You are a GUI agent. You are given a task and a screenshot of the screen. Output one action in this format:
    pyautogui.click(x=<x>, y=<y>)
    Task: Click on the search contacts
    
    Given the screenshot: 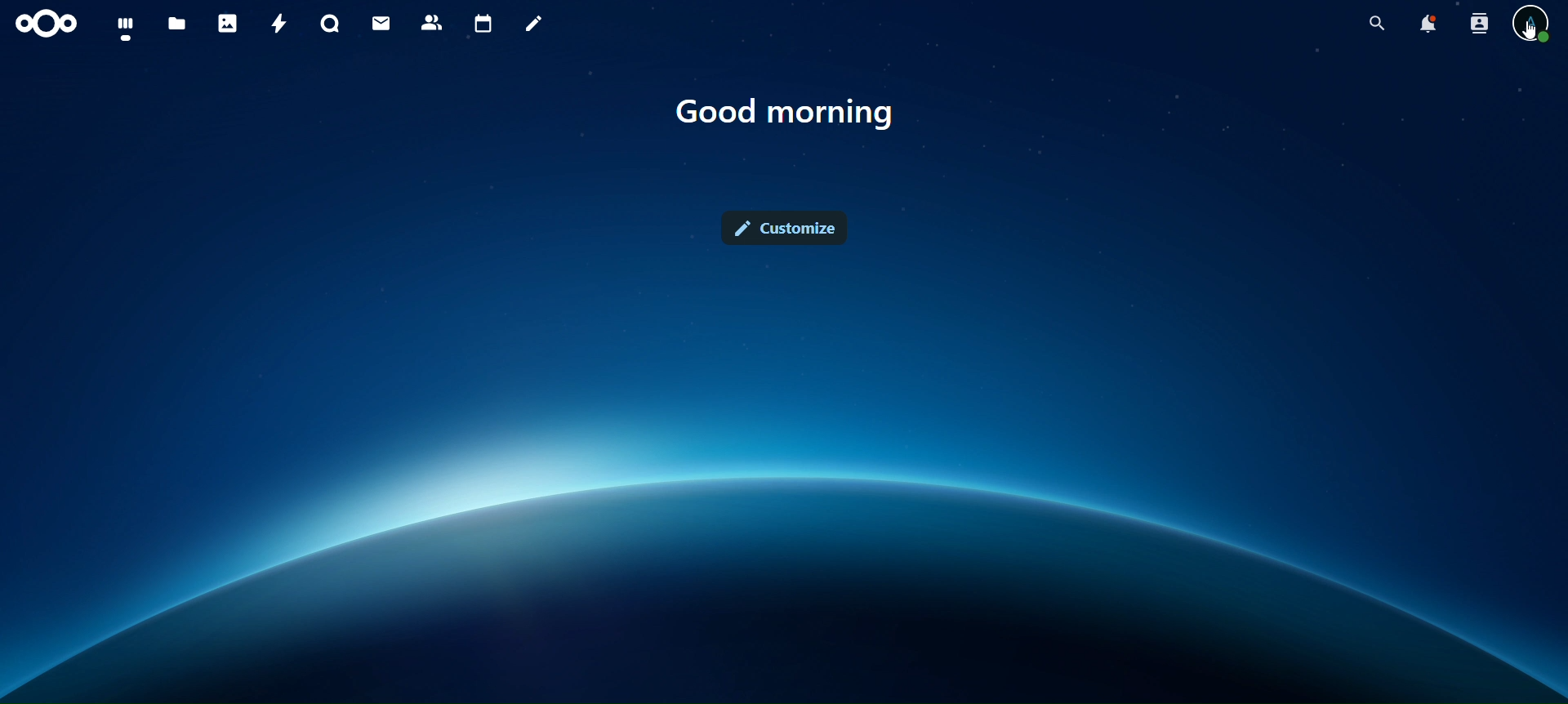 What is the action you would take?
    pyautogui.click(x=1474, y=23)
    